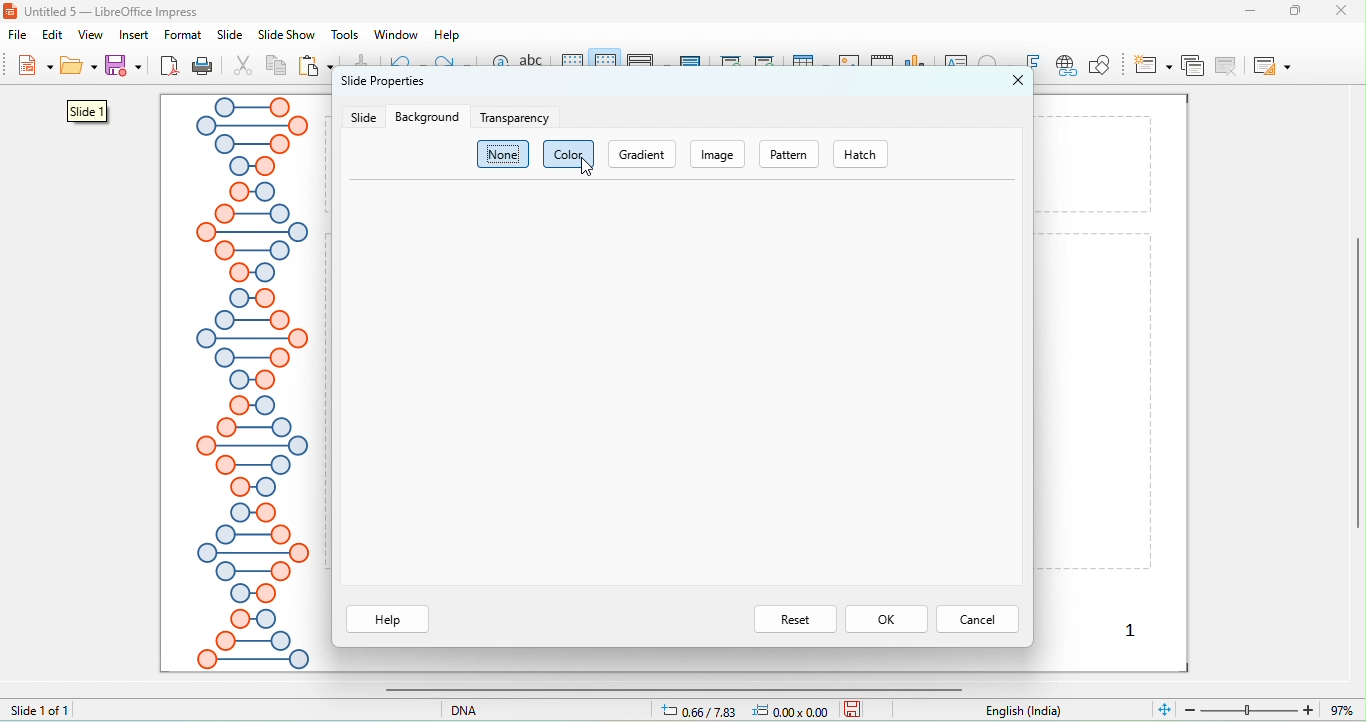 This screenshot has height=722, width=1366. What do you see at coordinates (1163, 708) in the screenshot?
I see `fit to current window` at bounding box center [1163, 708].